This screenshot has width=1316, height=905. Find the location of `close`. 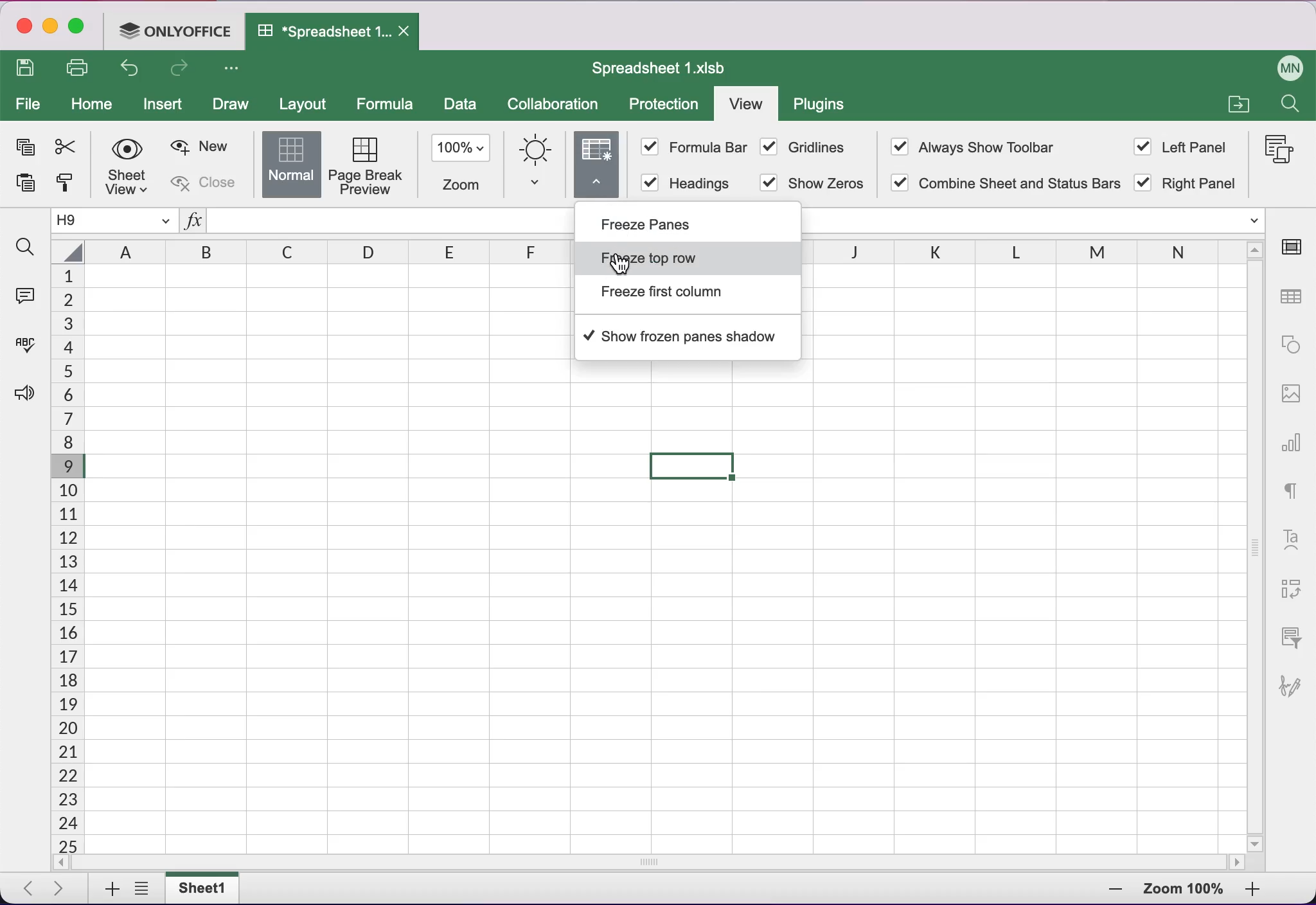

close is located at coordinates (208, 183).